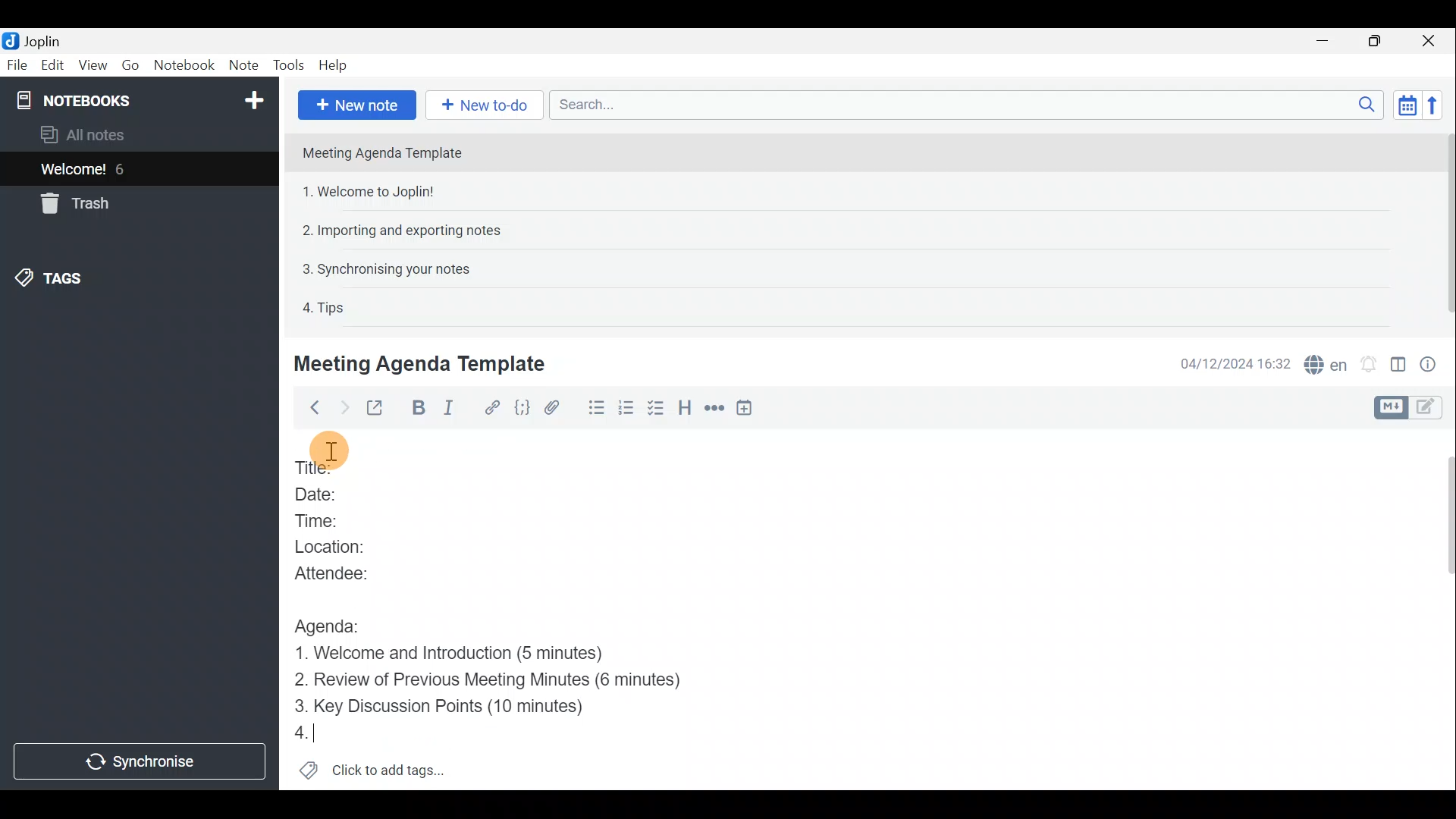 The width and height of the screenshot is (1456, 819). I want to click on Welcome!, so click(74, 171).